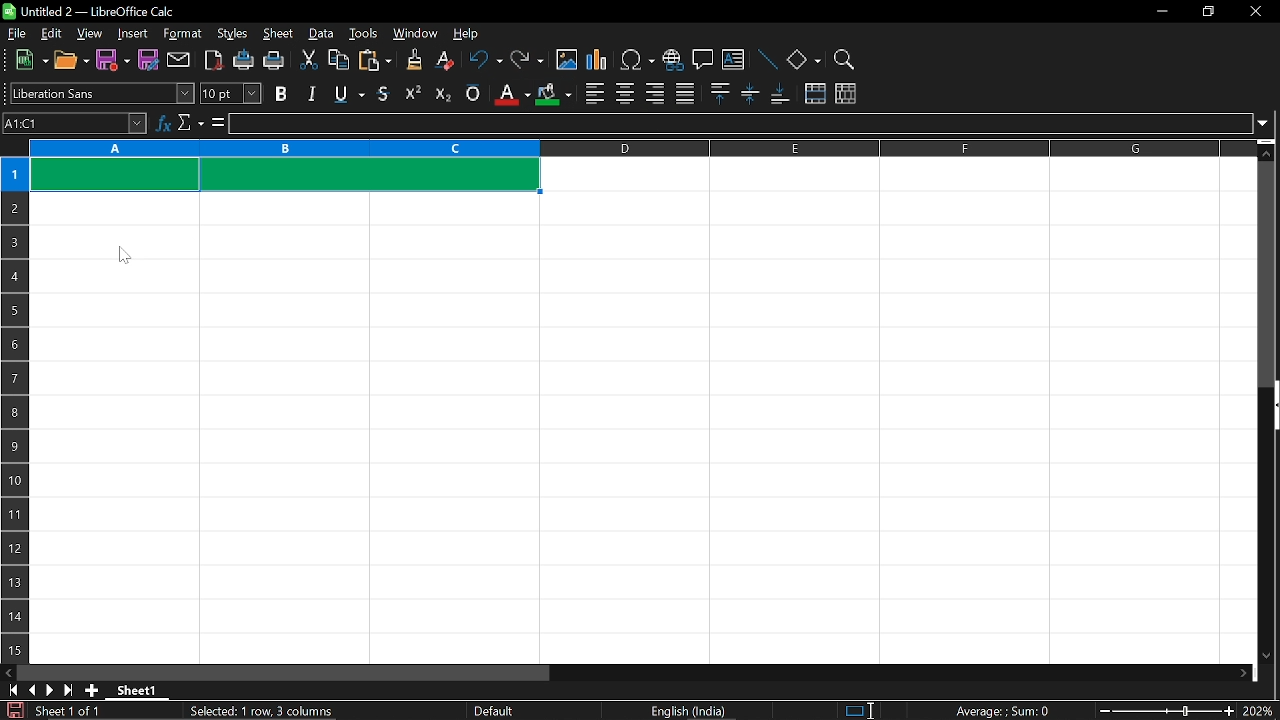 The width and height of the screenshot is (1280, 720). Describe the element at coordinates (284, 673) in the screenshot. I see `horizontal scrollbar` at that location.